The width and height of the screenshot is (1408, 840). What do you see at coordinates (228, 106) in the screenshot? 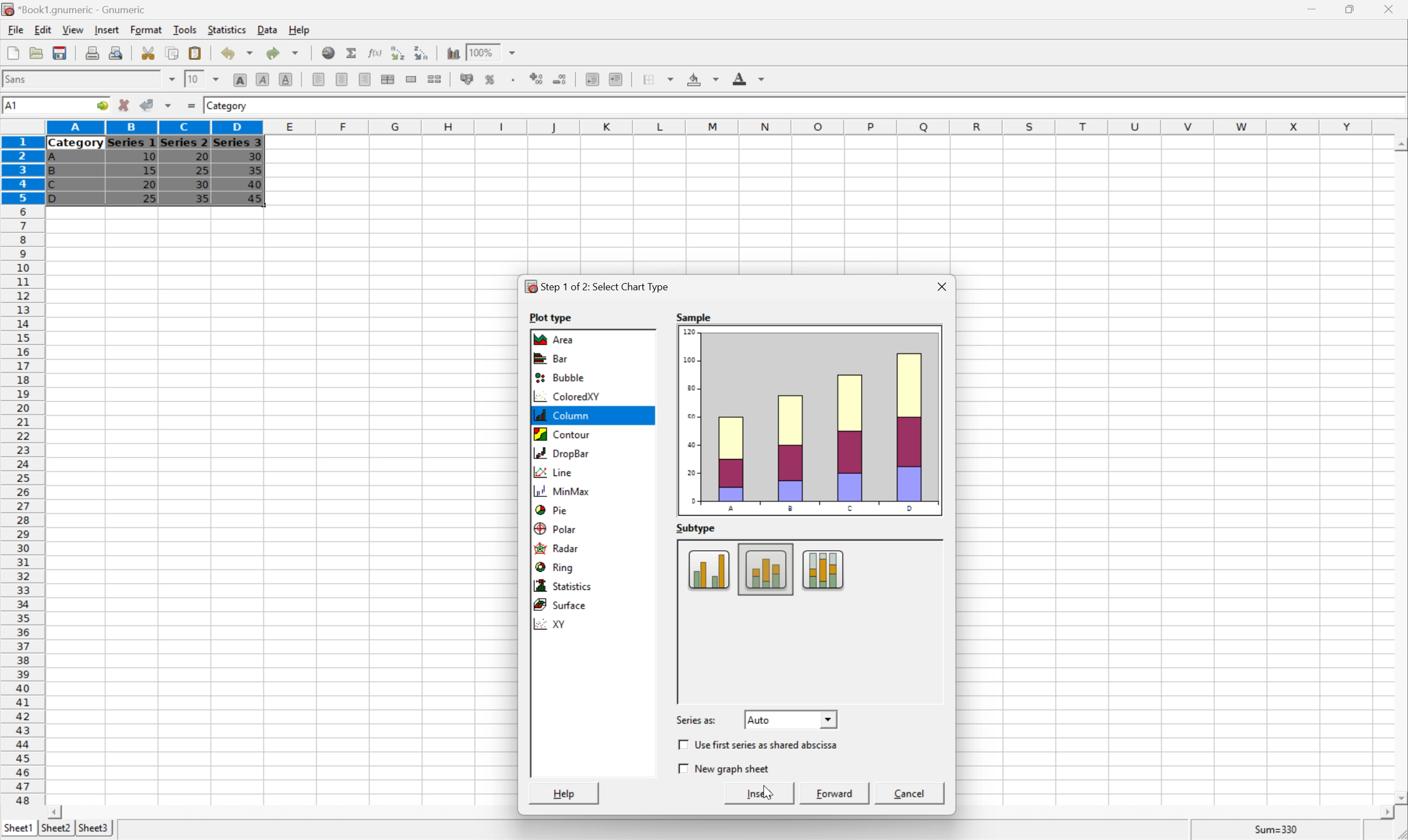
I see `Category` at bounding box center [228, 106].